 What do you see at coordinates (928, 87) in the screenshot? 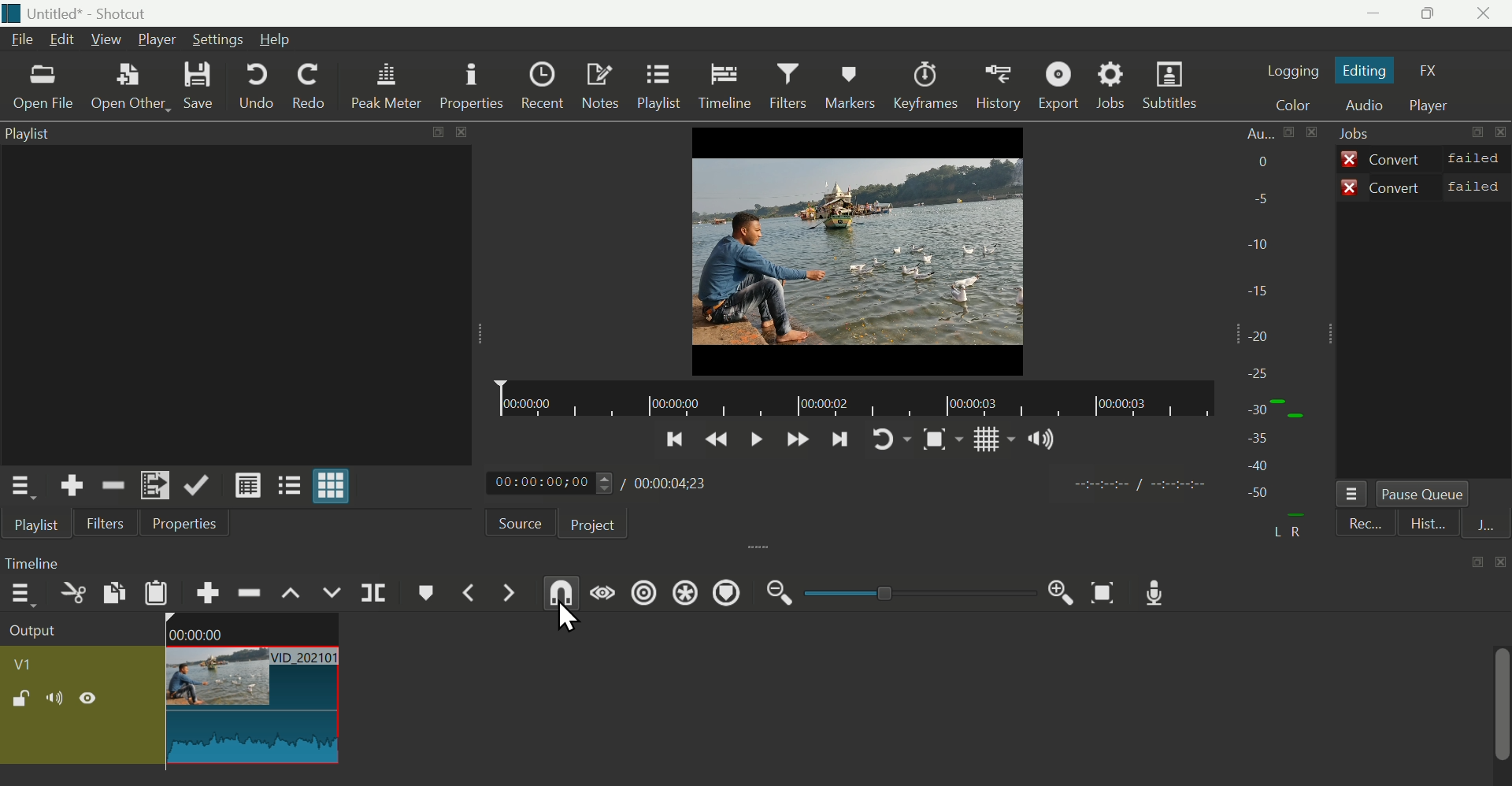
I see `Keeyframes` at bounding box center [928, 87].